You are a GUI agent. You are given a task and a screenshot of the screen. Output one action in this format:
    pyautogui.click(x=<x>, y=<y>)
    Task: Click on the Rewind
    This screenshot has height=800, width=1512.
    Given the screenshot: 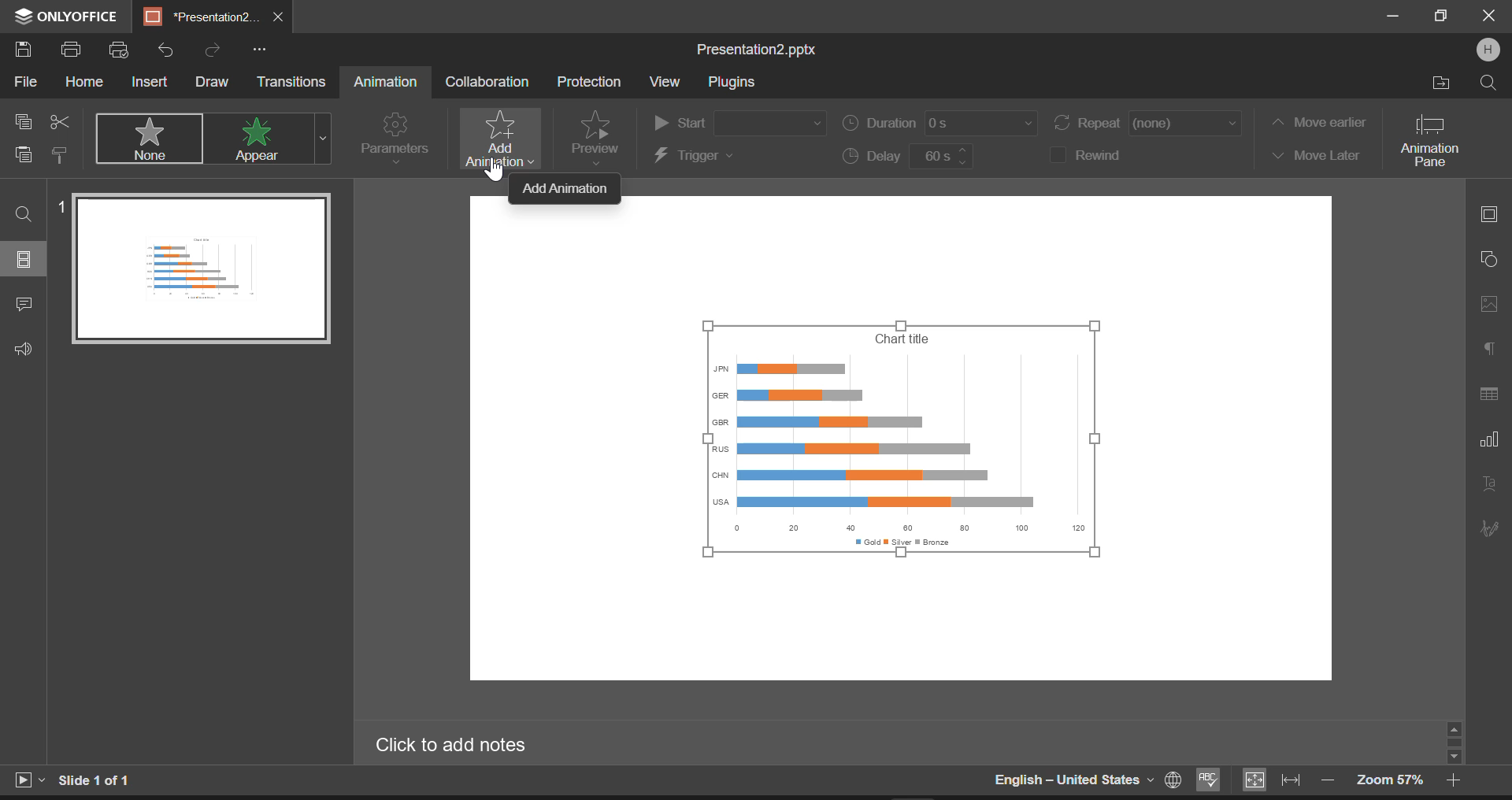 What is the action you would take?
    pyautogui.click(x=1098, y=154)
    